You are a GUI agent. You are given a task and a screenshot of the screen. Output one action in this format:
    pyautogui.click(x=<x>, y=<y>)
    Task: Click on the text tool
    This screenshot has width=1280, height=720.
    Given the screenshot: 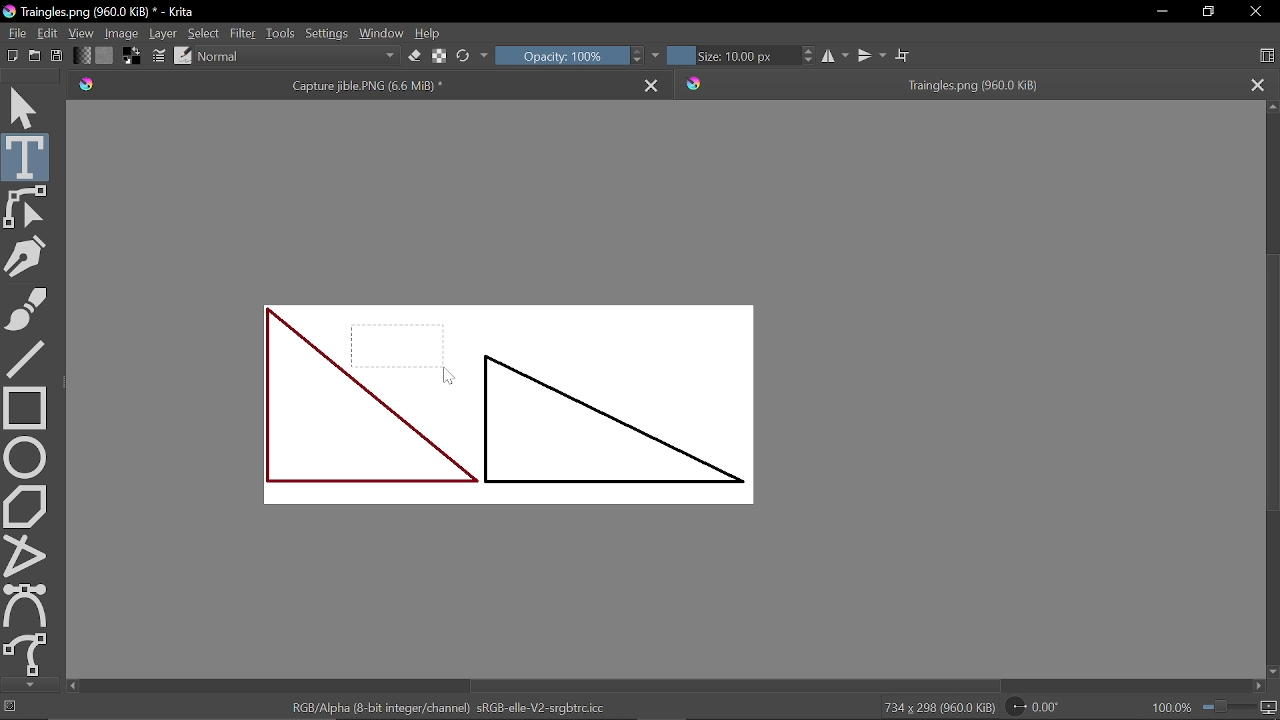 What is the action you would take?
    pyautogui.click(x=26, y=157)
    